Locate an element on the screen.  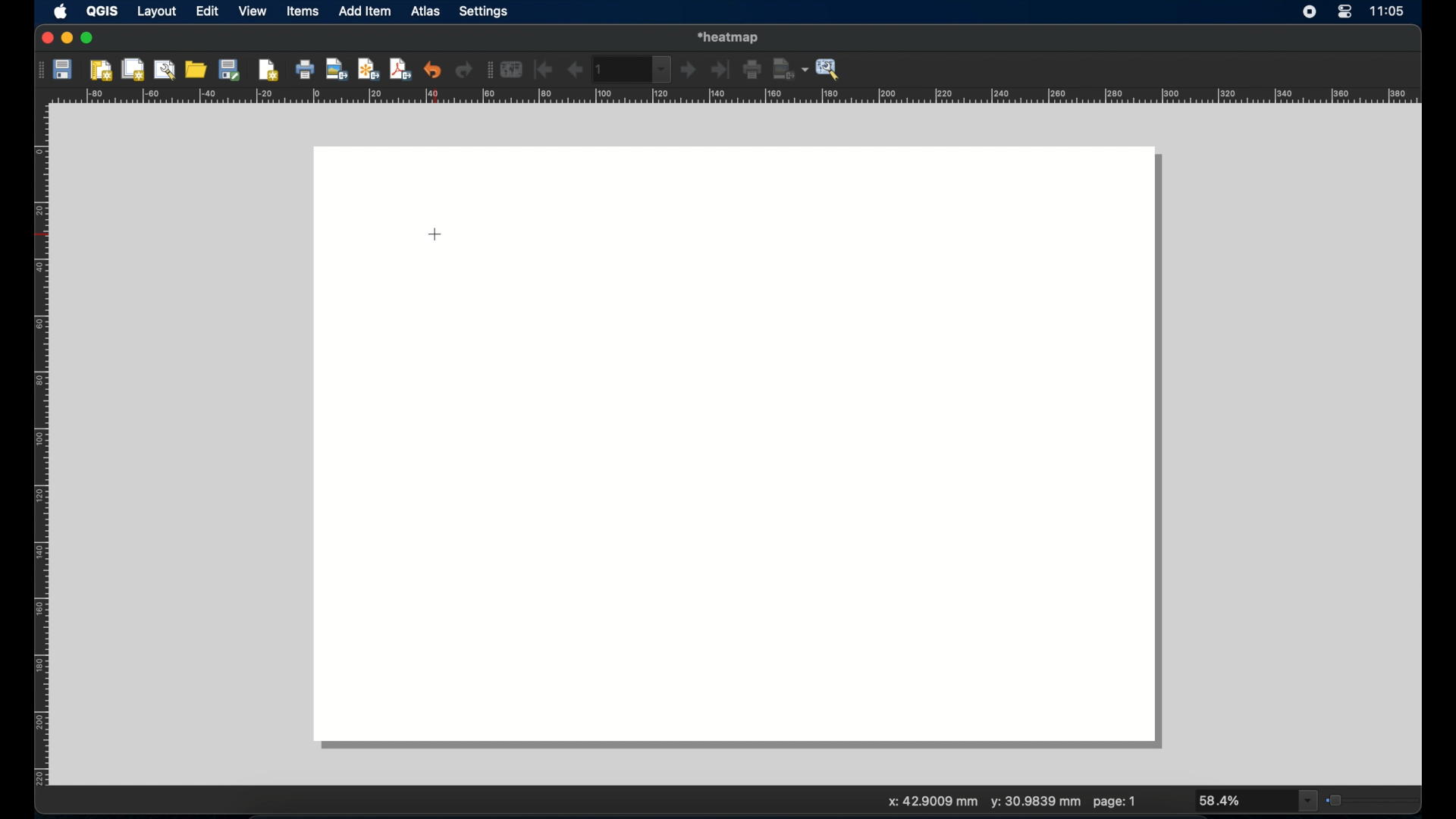
minimize is located at coordinates (67, 39).